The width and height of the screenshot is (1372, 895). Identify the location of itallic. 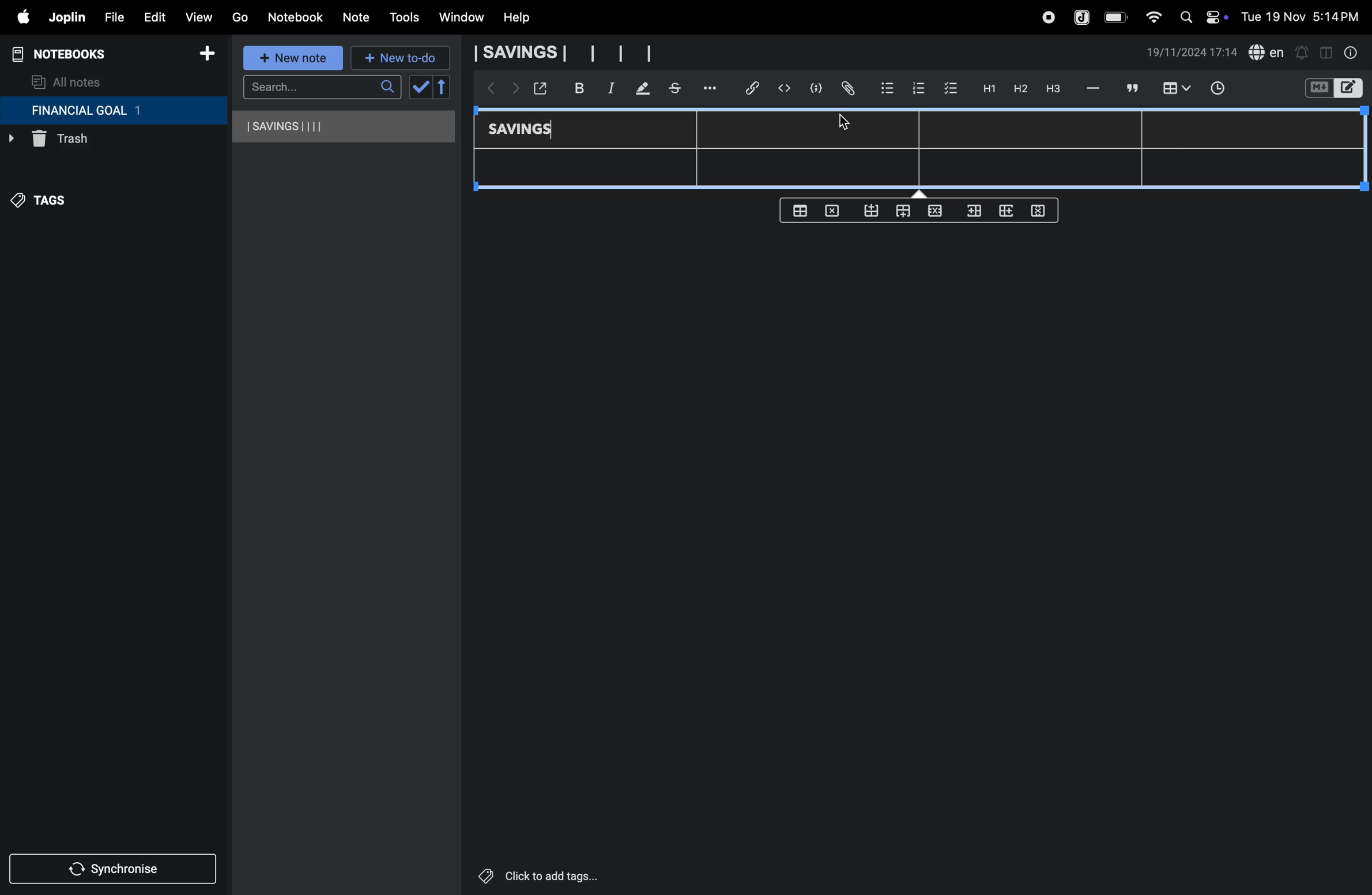
(609, 88).